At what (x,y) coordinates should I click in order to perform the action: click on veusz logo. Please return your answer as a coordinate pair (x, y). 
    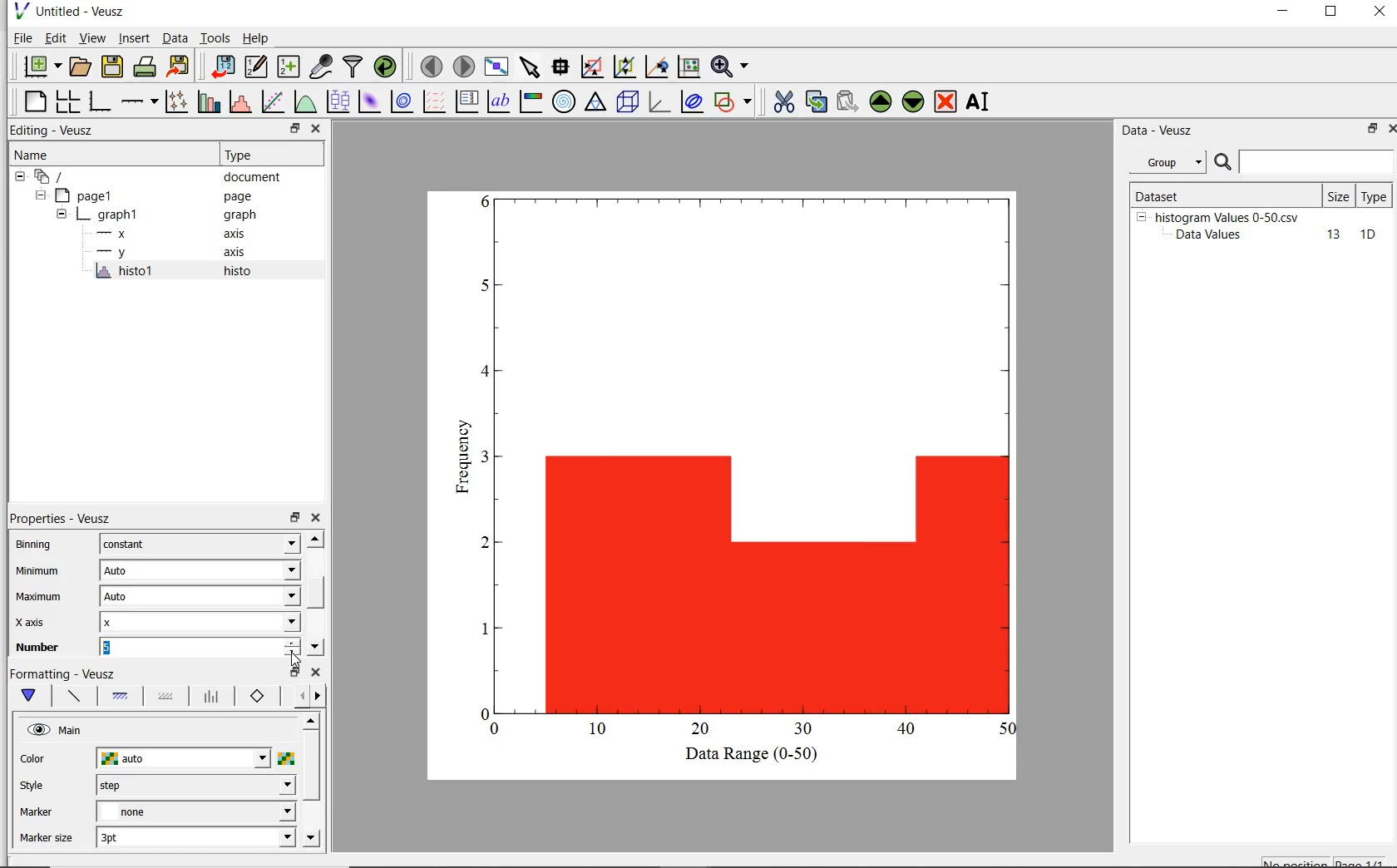
    Looking at the image, I should click on (20, 11).